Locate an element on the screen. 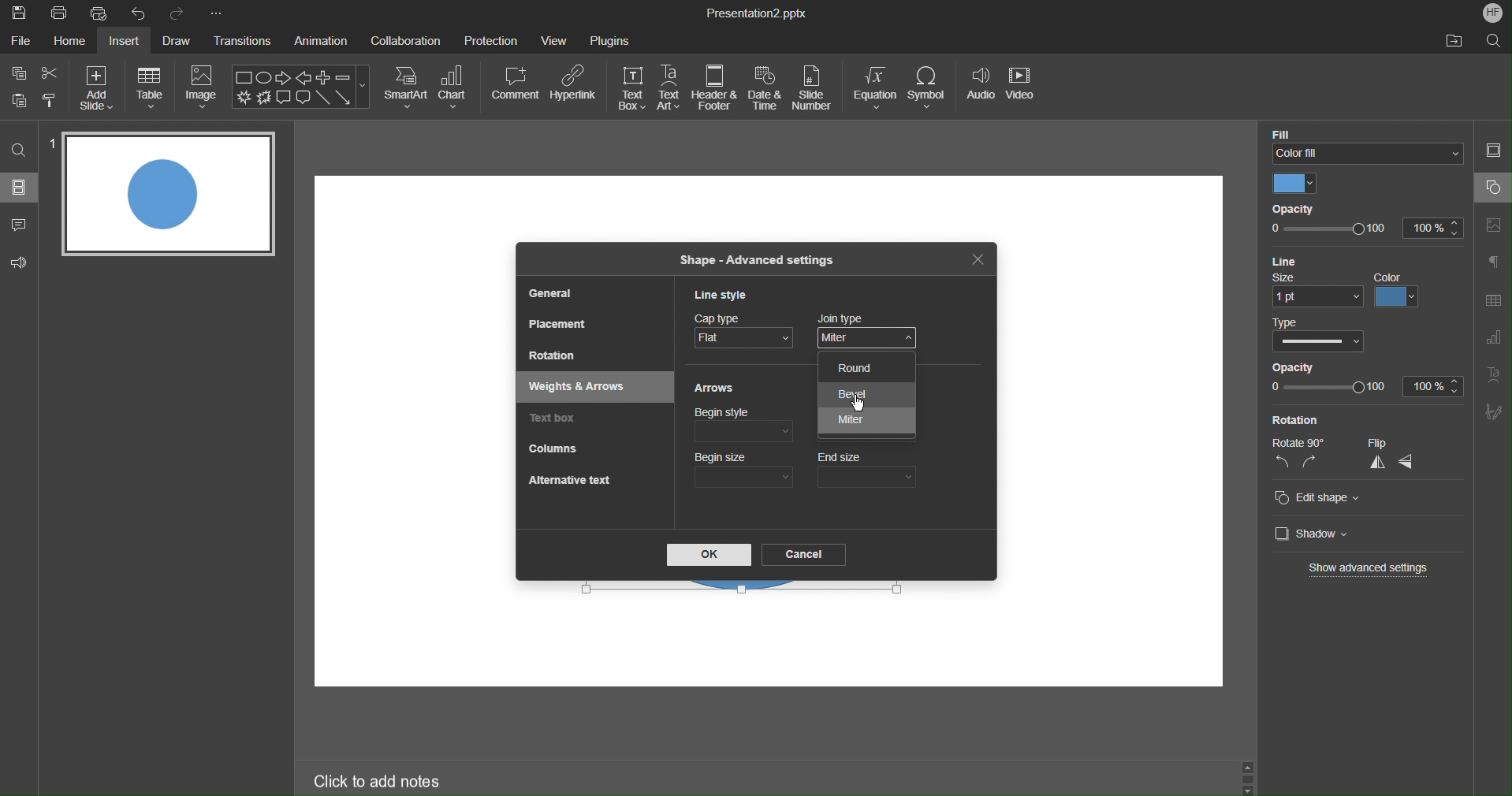 The image size is (1512, 796). Columns is located at coordinates (553, 448).